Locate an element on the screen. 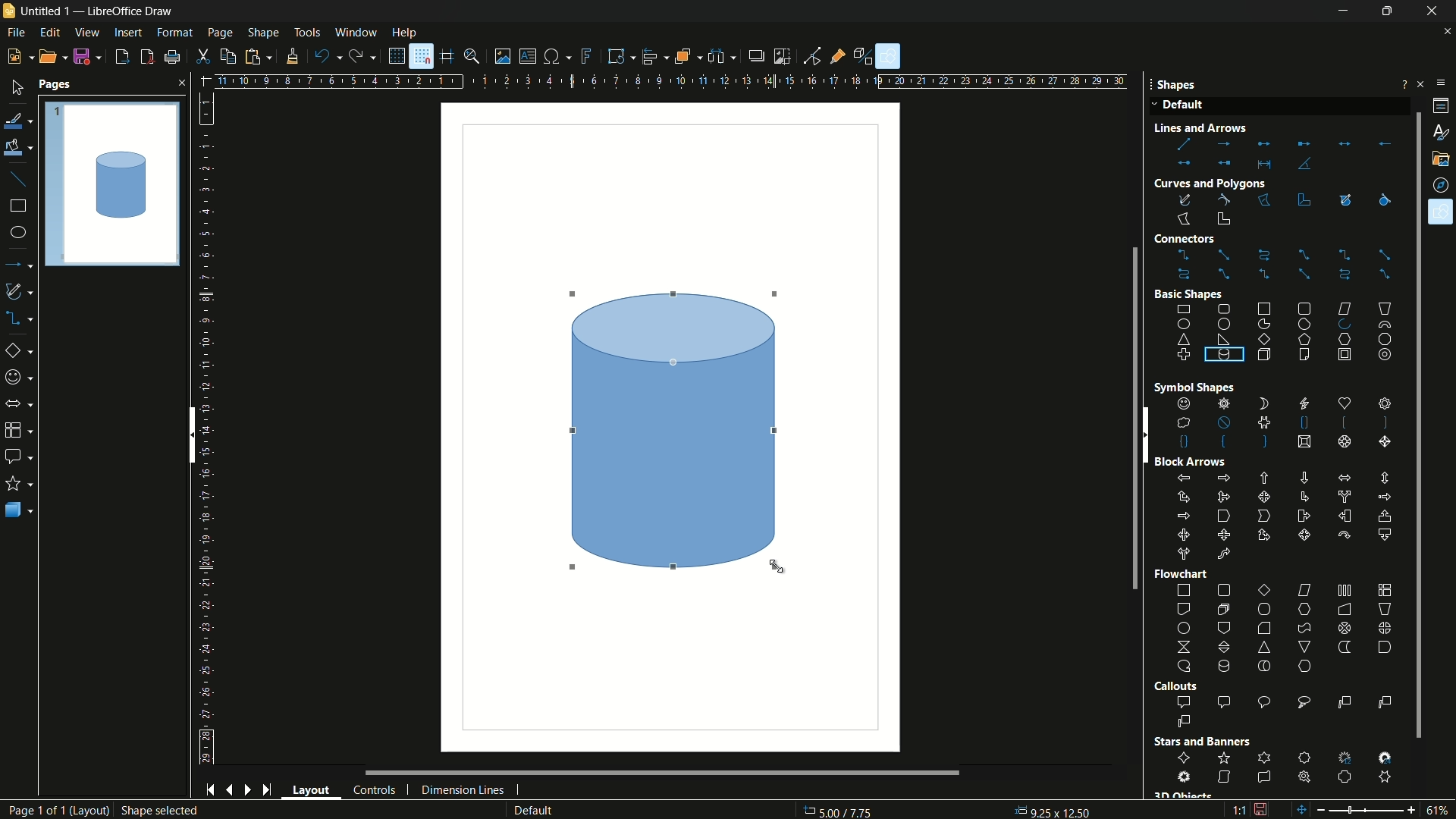  crop is located at coordinates (781, 56).